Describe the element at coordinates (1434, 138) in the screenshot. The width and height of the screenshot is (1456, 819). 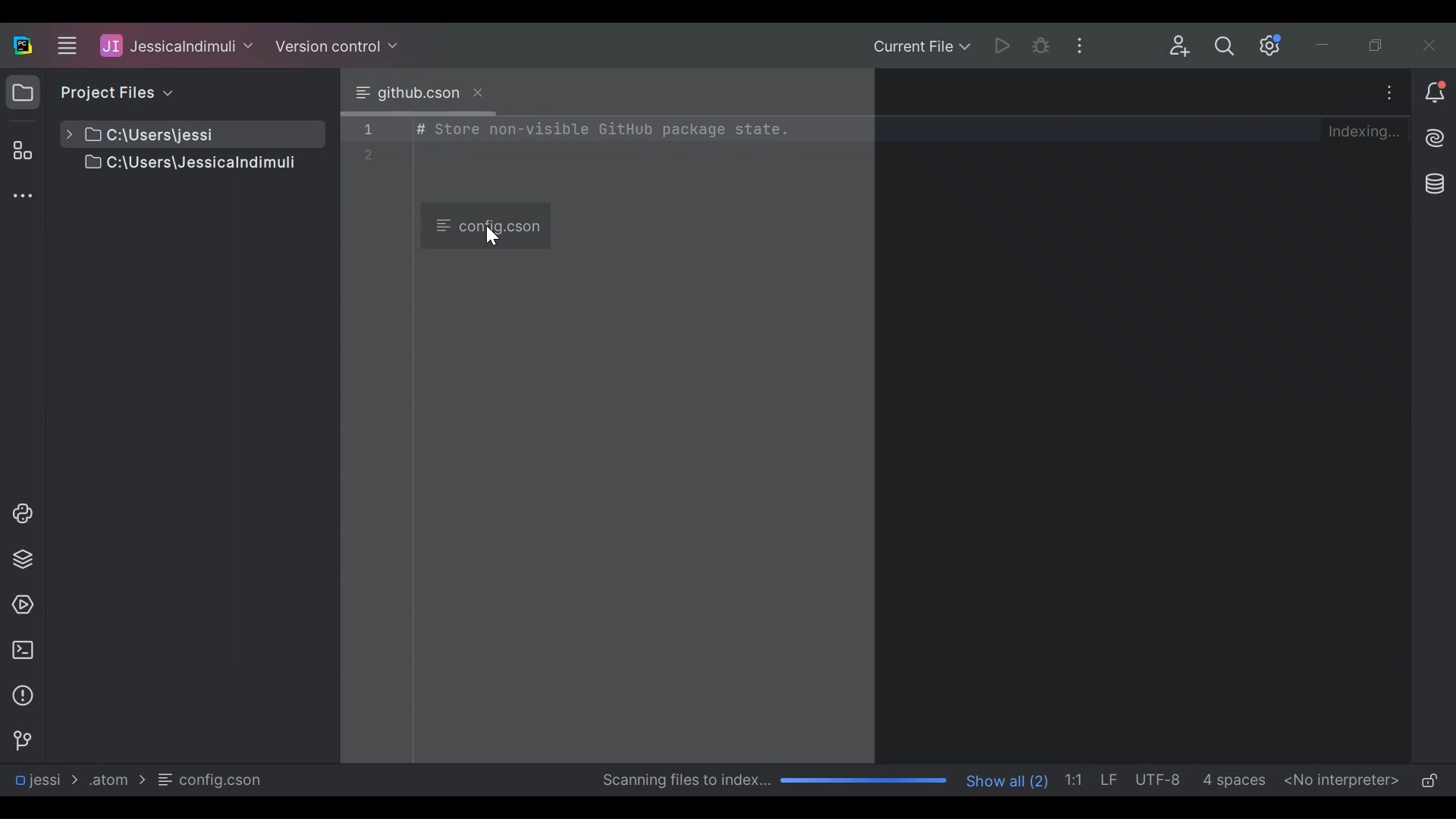
I see `AI Assistant` at that location.